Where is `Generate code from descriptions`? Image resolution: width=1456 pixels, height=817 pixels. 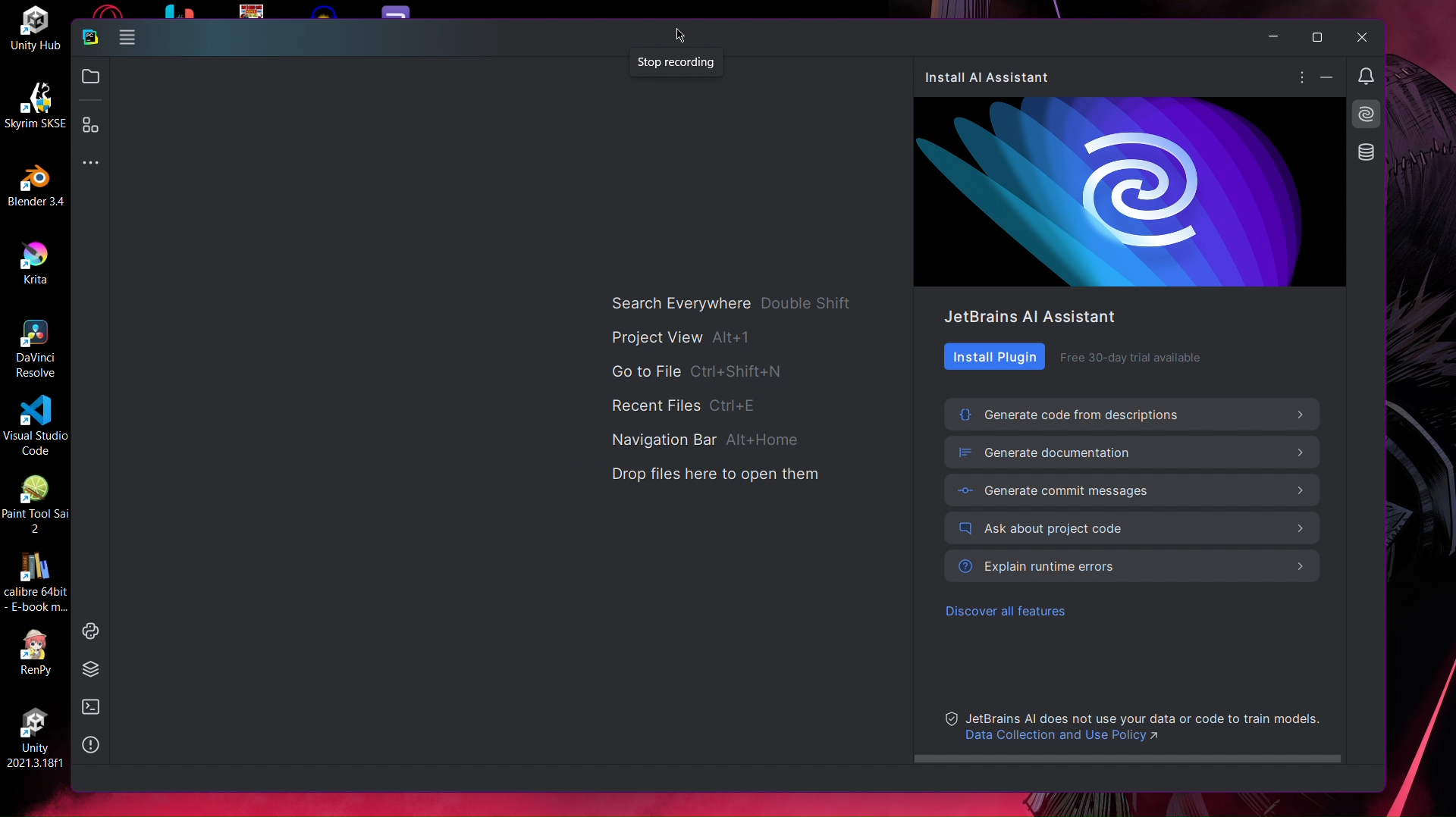 Generate code from descriptions is located at coordinates (1134, 414).